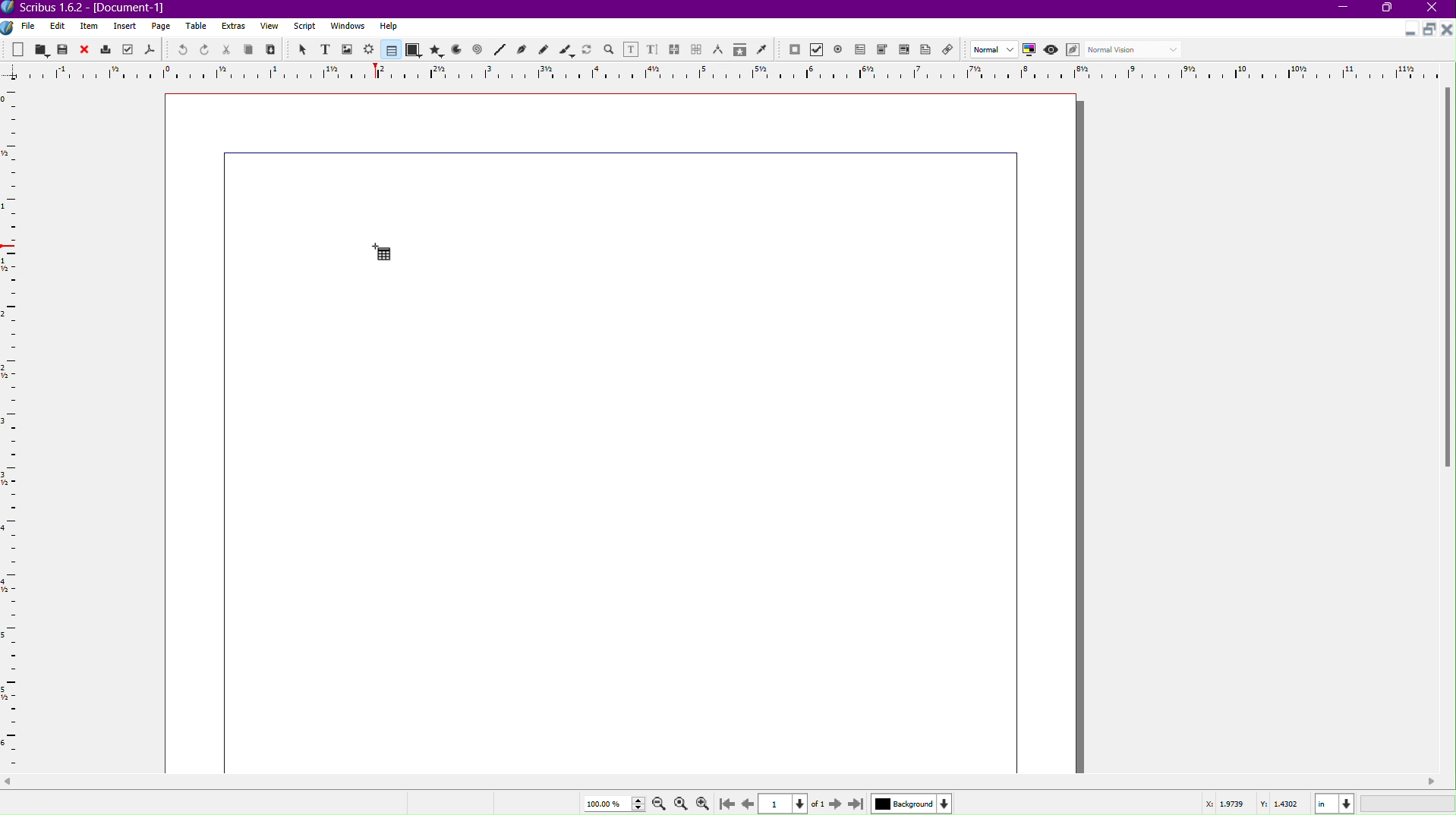  What do you see at coordinates (728, 71) in the screenshot?
I see `Ruler Line` at bounding box center [728, 71].